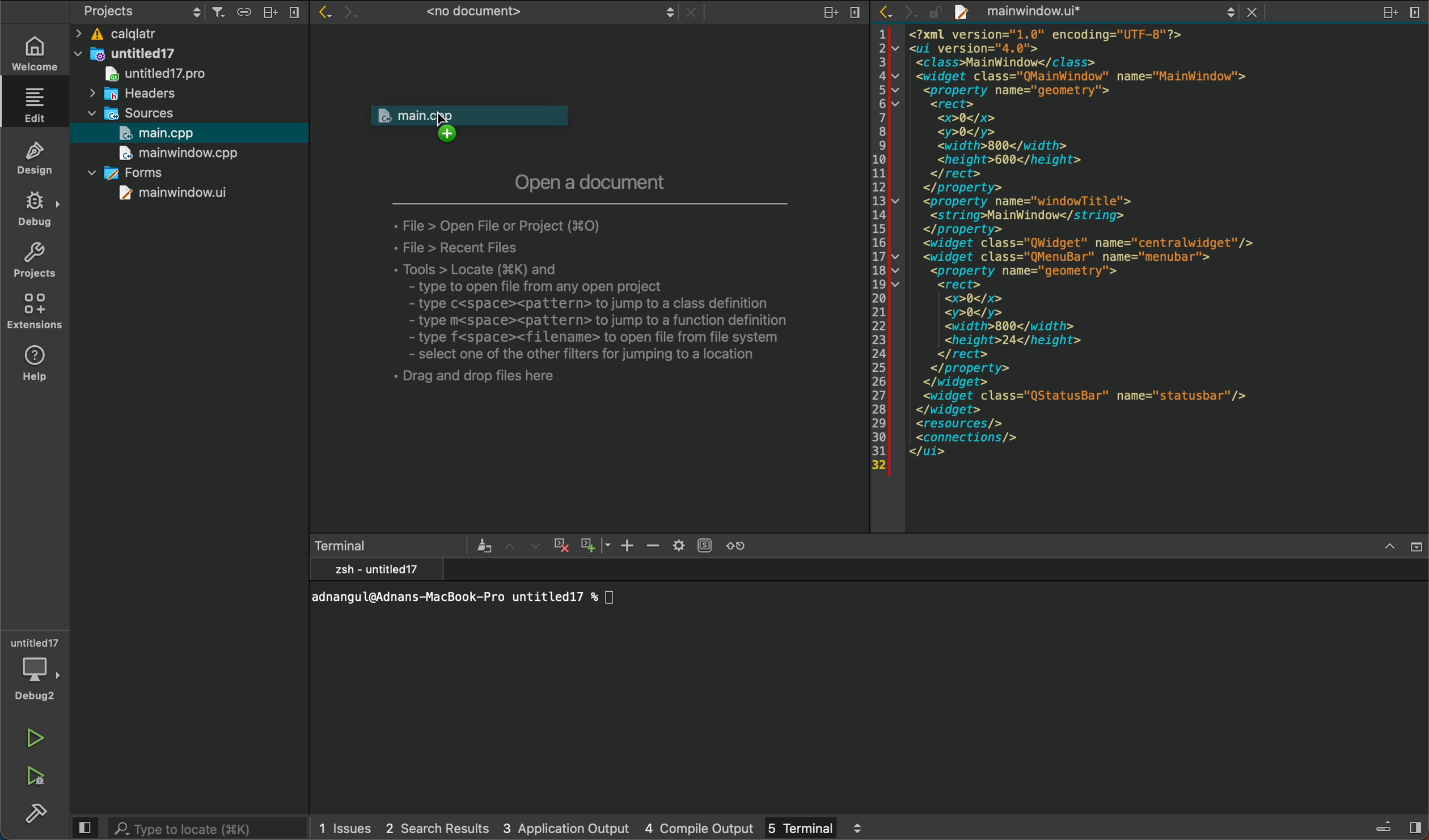 The height and width of the screenshot is (840, 1429). What do you see at coordinates (813, 826) in the screenshot?
I see `terminal` at bounding box center [813, 826].